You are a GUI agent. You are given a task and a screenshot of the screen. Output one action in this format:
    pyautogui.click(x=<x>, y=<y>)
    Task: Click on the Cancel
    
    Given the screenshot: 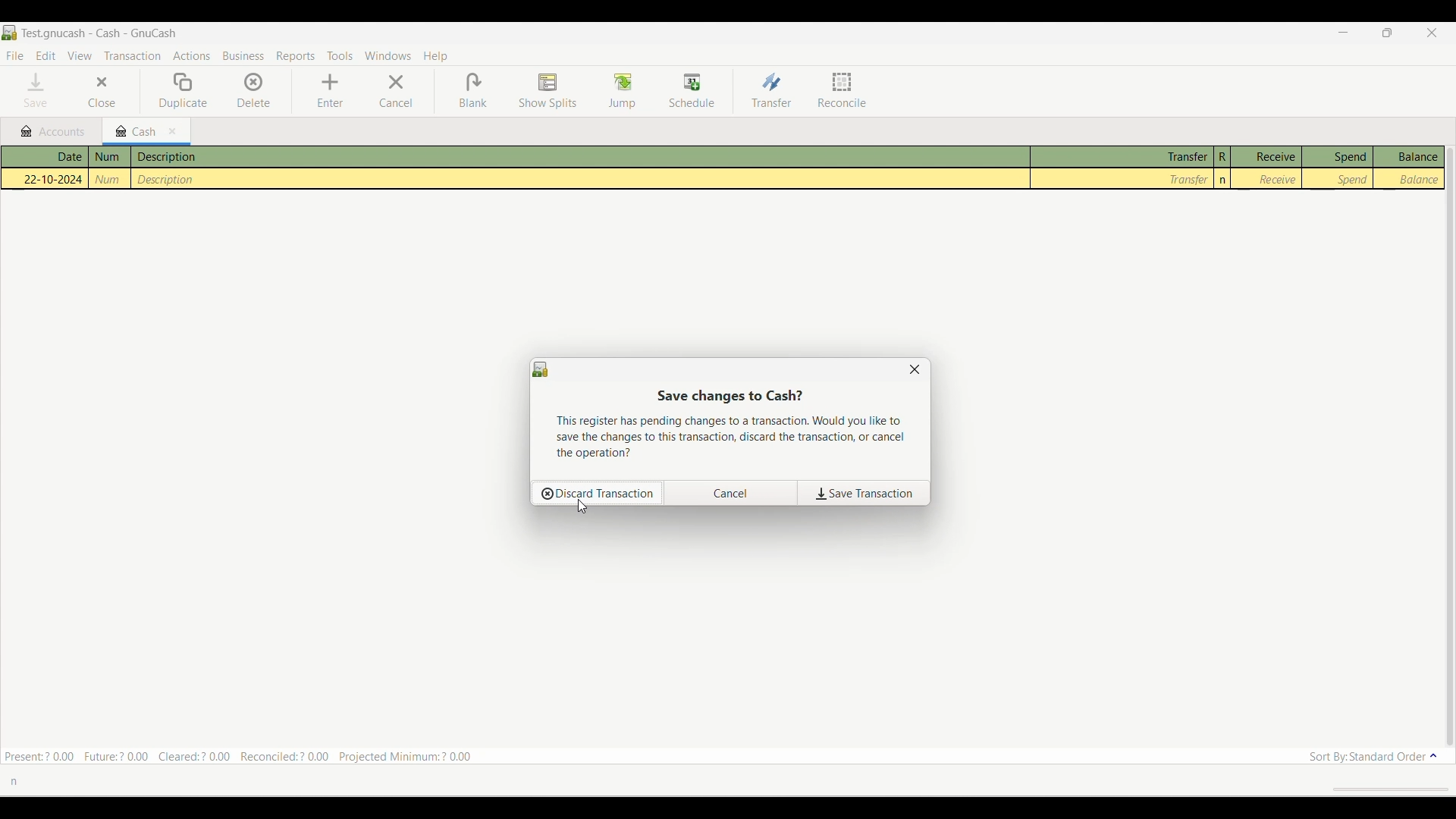 What is the action you would take?
    pyautogui.click(x=397, y=90)
    